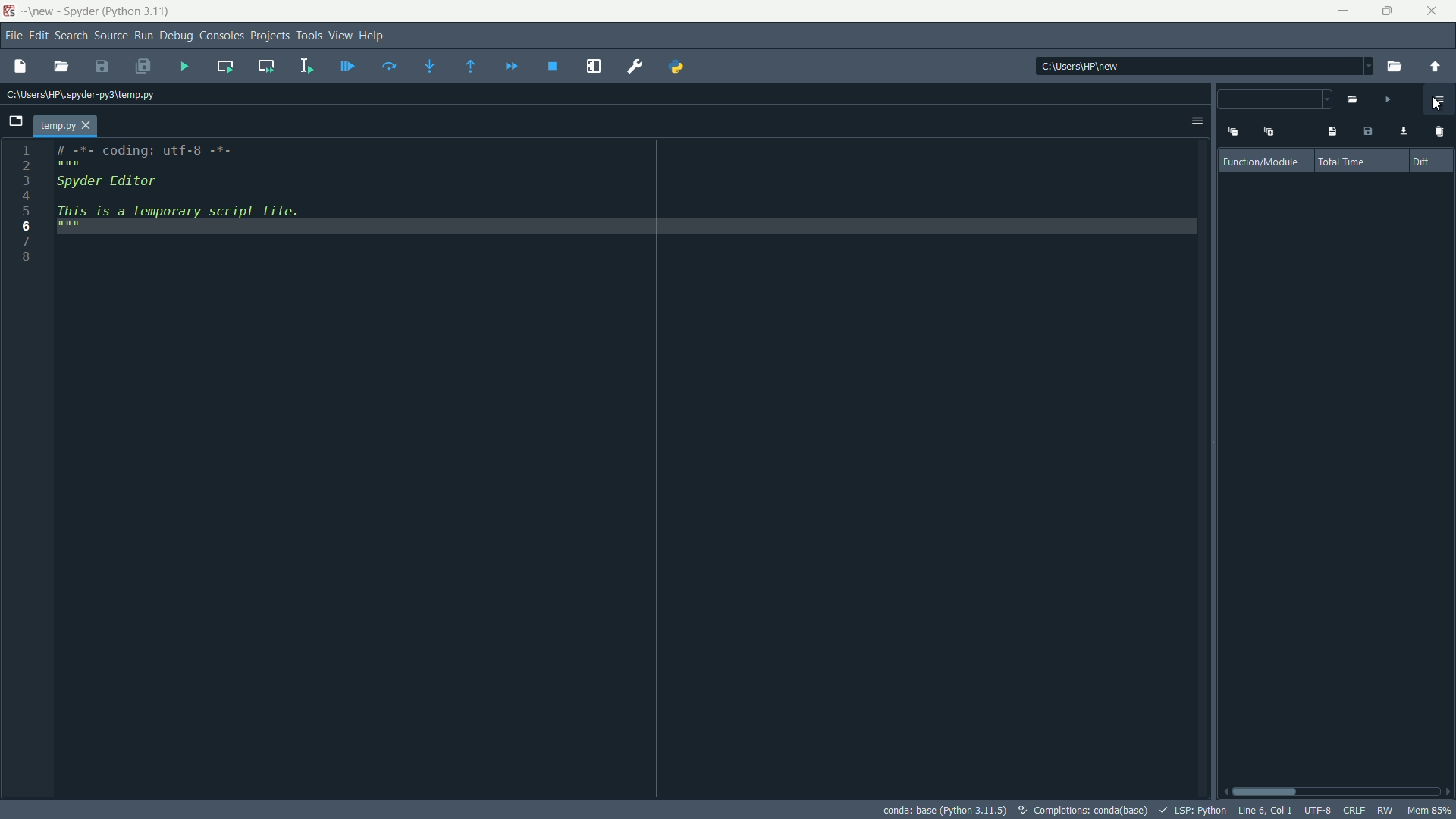 Image resolution: width=1456 pixels, height=819 pixels. Describe the element at coordinates (1345, 162) in the screenshot. I see `total time` at that location.